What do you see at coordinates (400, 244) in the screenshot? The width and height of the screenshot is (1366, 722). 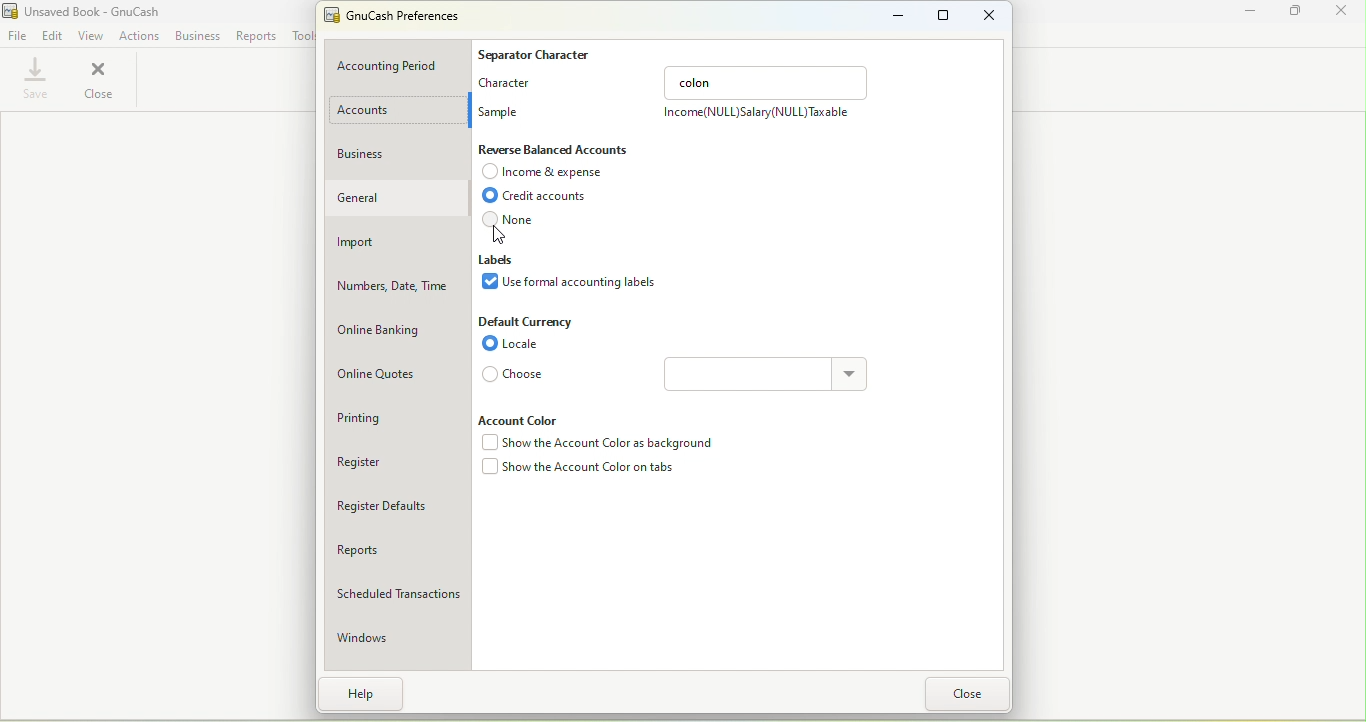 I see `Import` at bounding box center [400, 244].